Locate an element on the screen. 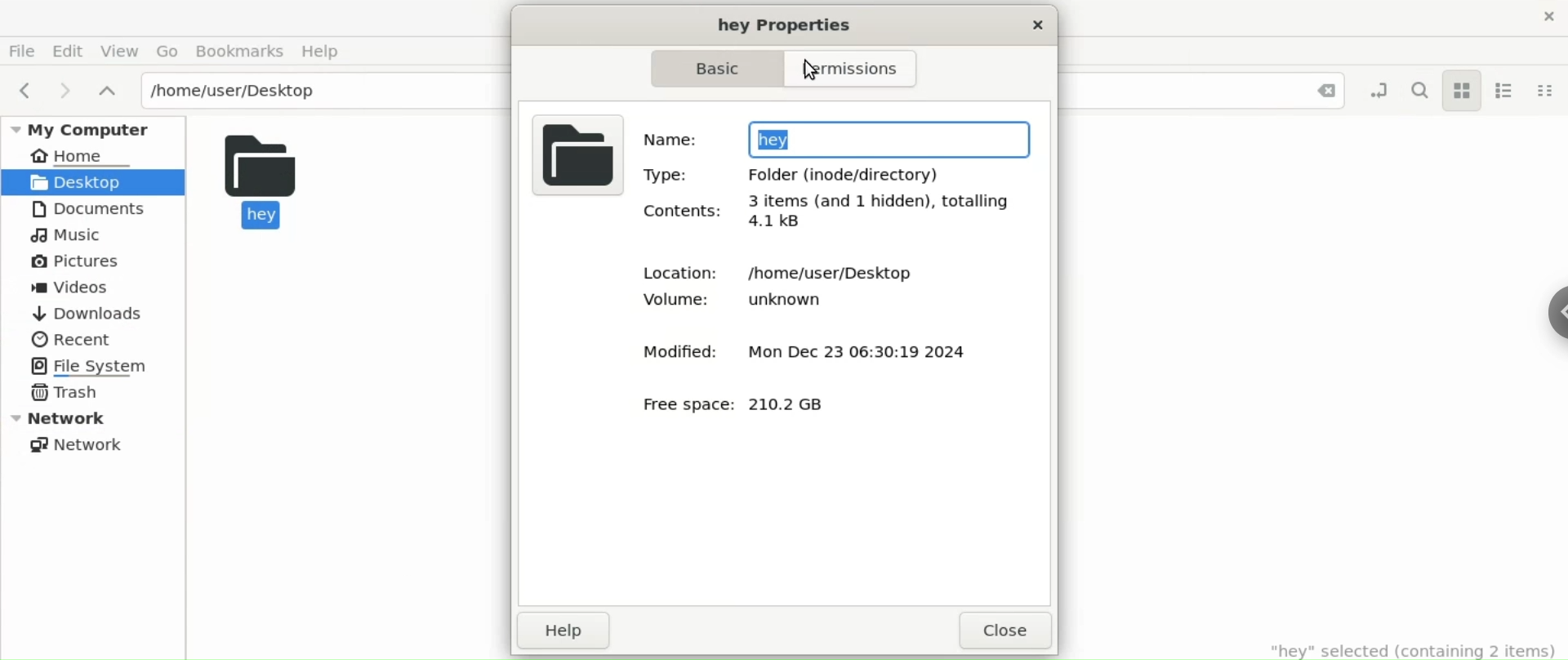 This screenshot has height=660, width=1568. toggle location entry is located at coordinates (1374, 91).